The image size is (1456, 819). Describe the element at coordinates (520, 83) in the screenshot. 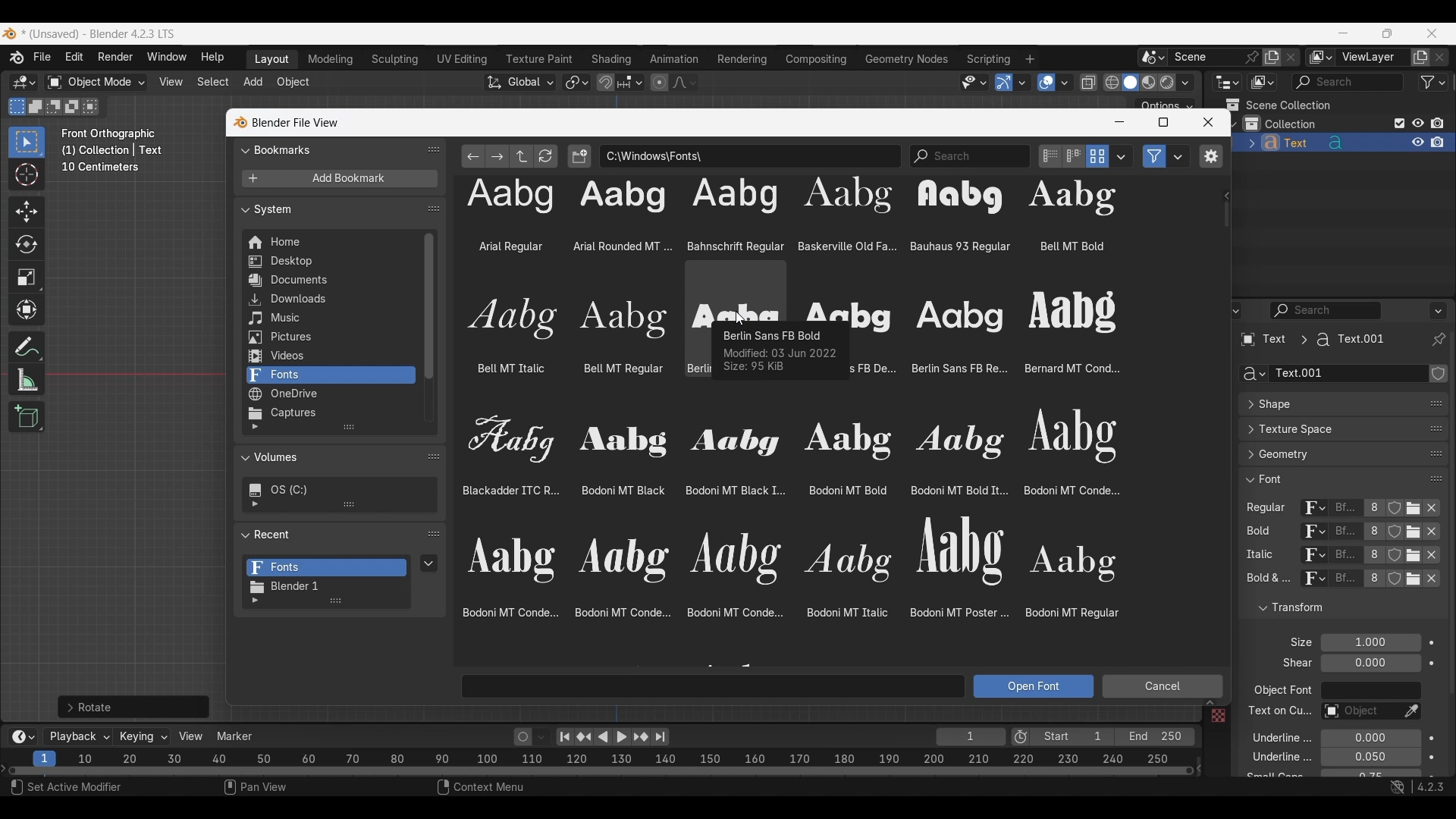

I see `Transformation orientation, global` at that location.